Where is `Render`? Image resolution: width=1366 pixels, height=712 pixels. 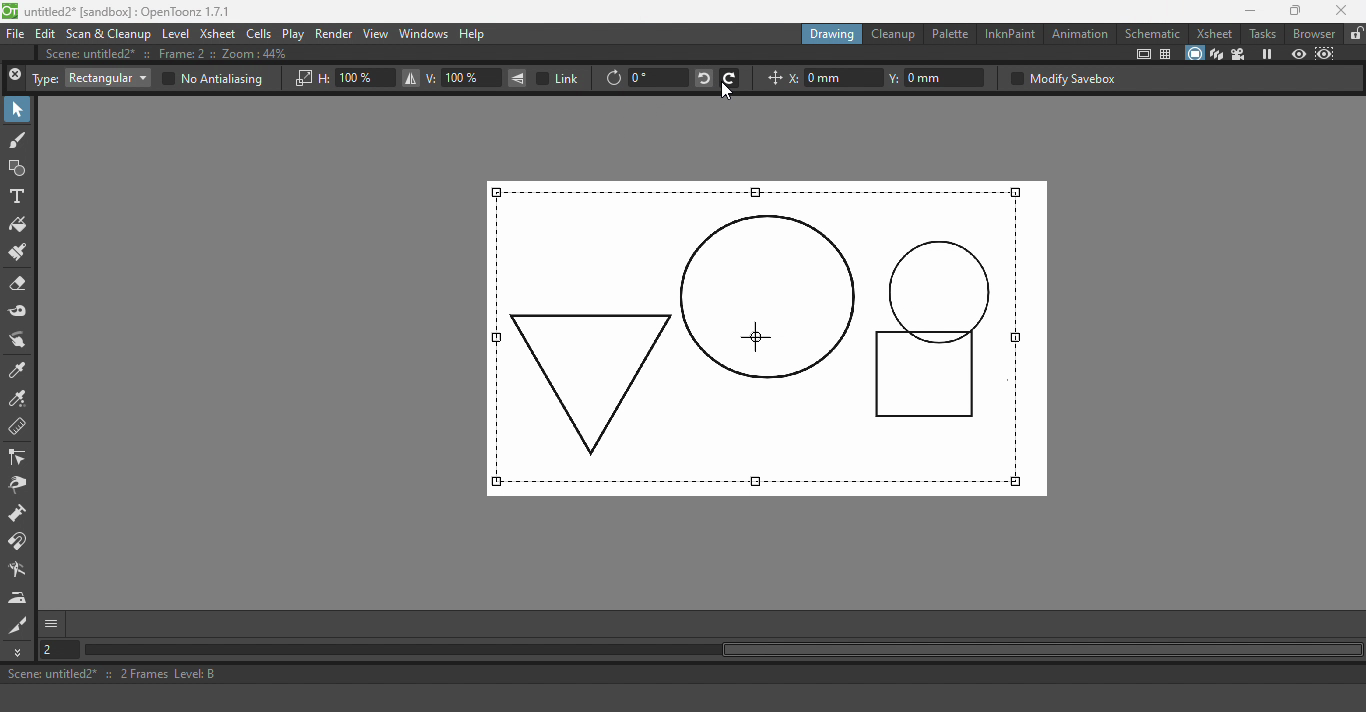
Render is located at coordinates (335, 33).